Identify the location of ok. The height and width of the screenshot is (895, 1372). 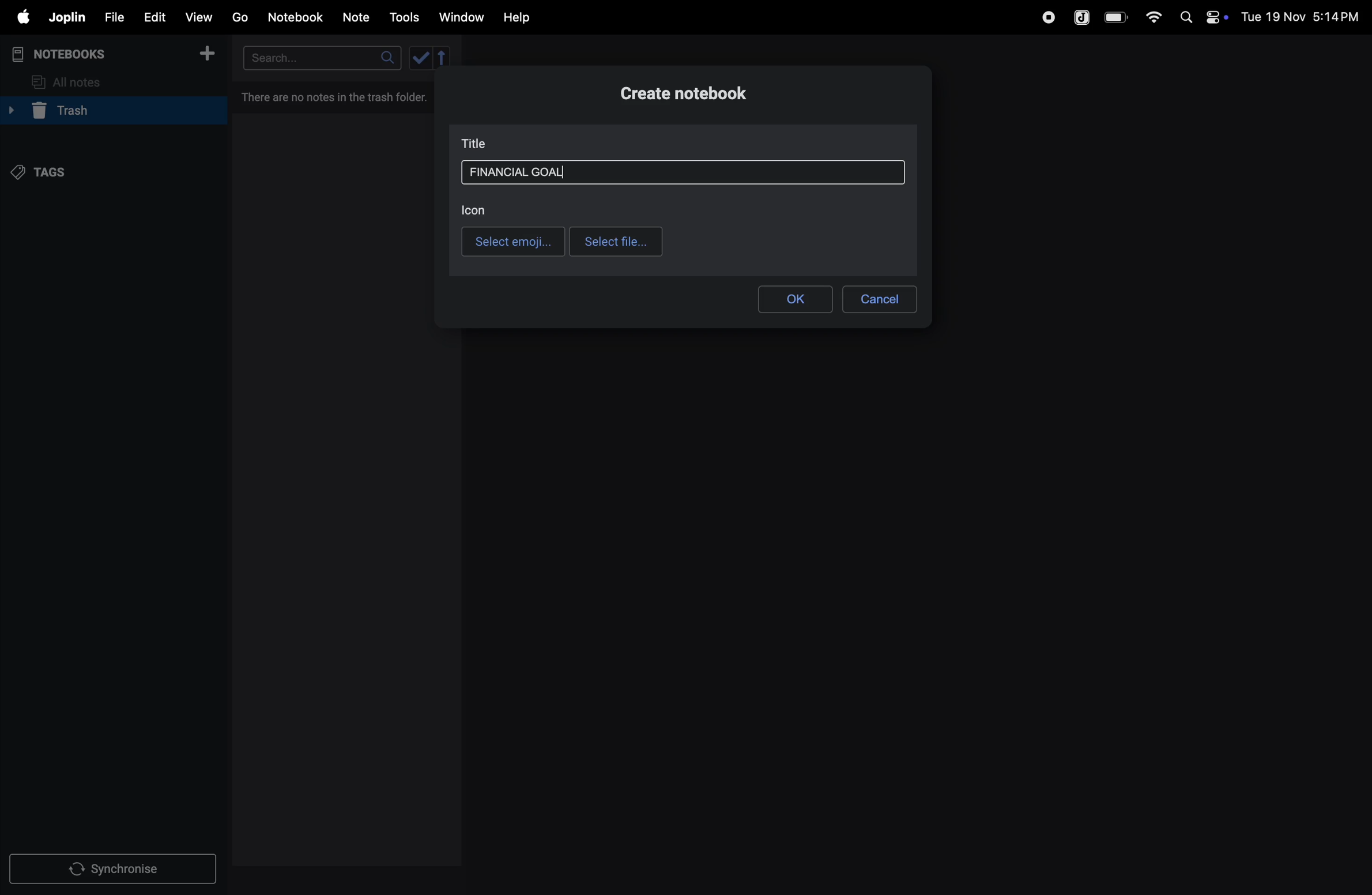
(798, 299).